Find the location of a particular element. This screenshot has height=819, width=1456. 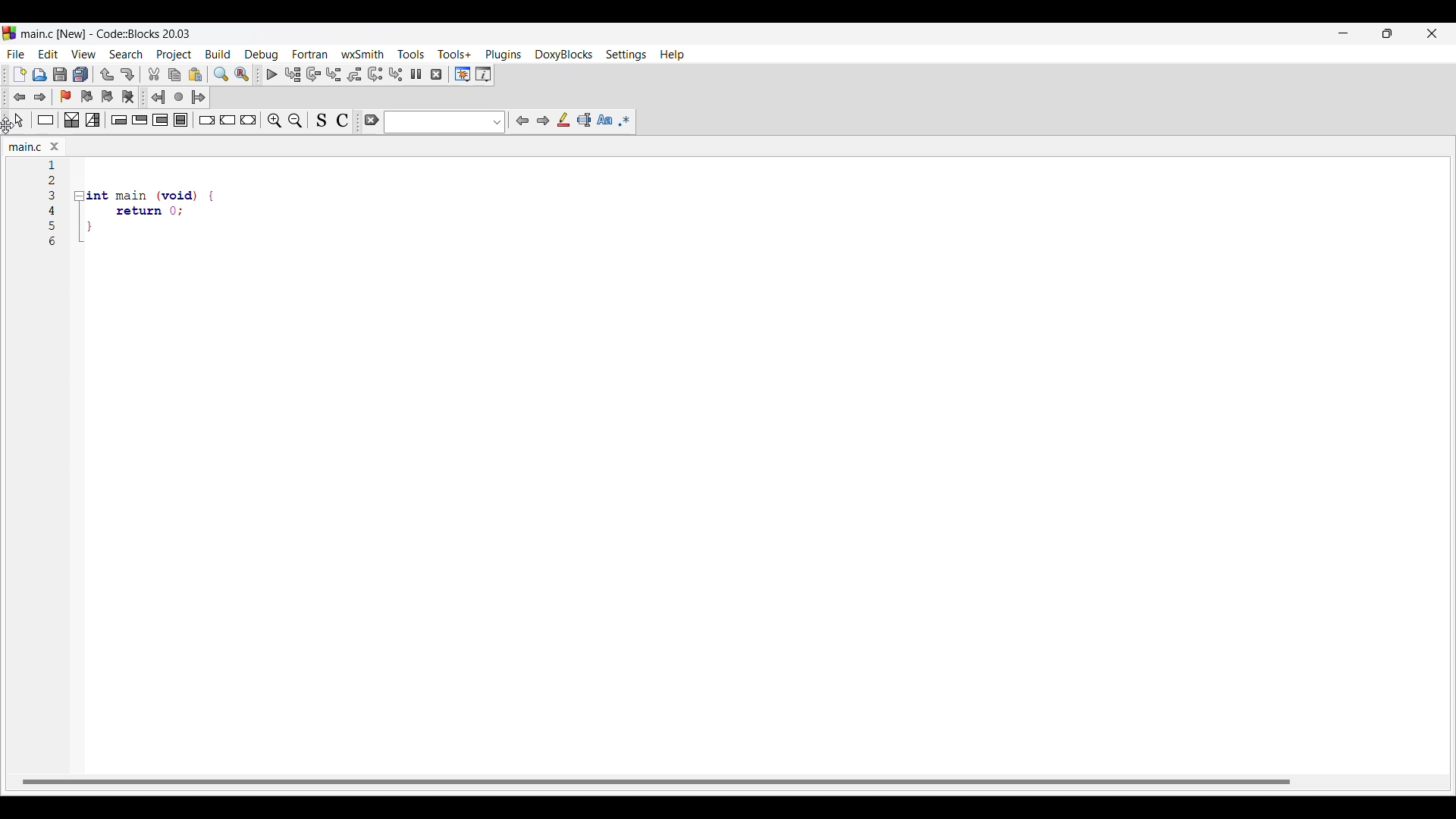

Step out is located at coordinates (355, 74).